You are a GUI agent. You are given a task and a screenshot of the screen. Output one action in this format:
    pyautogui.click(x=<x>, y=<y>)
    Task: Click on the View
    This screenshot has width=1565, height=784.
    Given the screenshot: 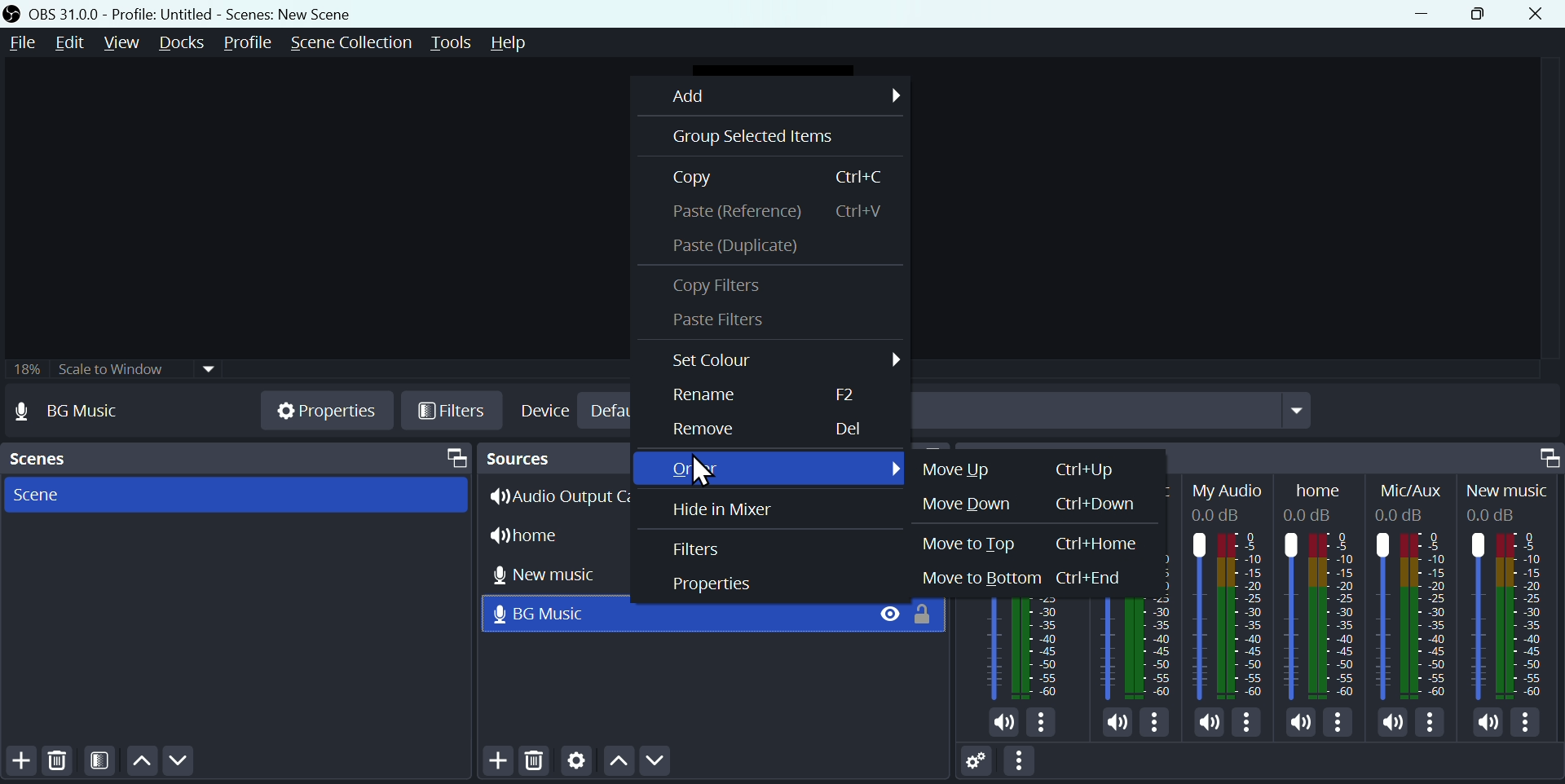 What is the action you would take?
    pyautogui.click(x=878, y=614)
    